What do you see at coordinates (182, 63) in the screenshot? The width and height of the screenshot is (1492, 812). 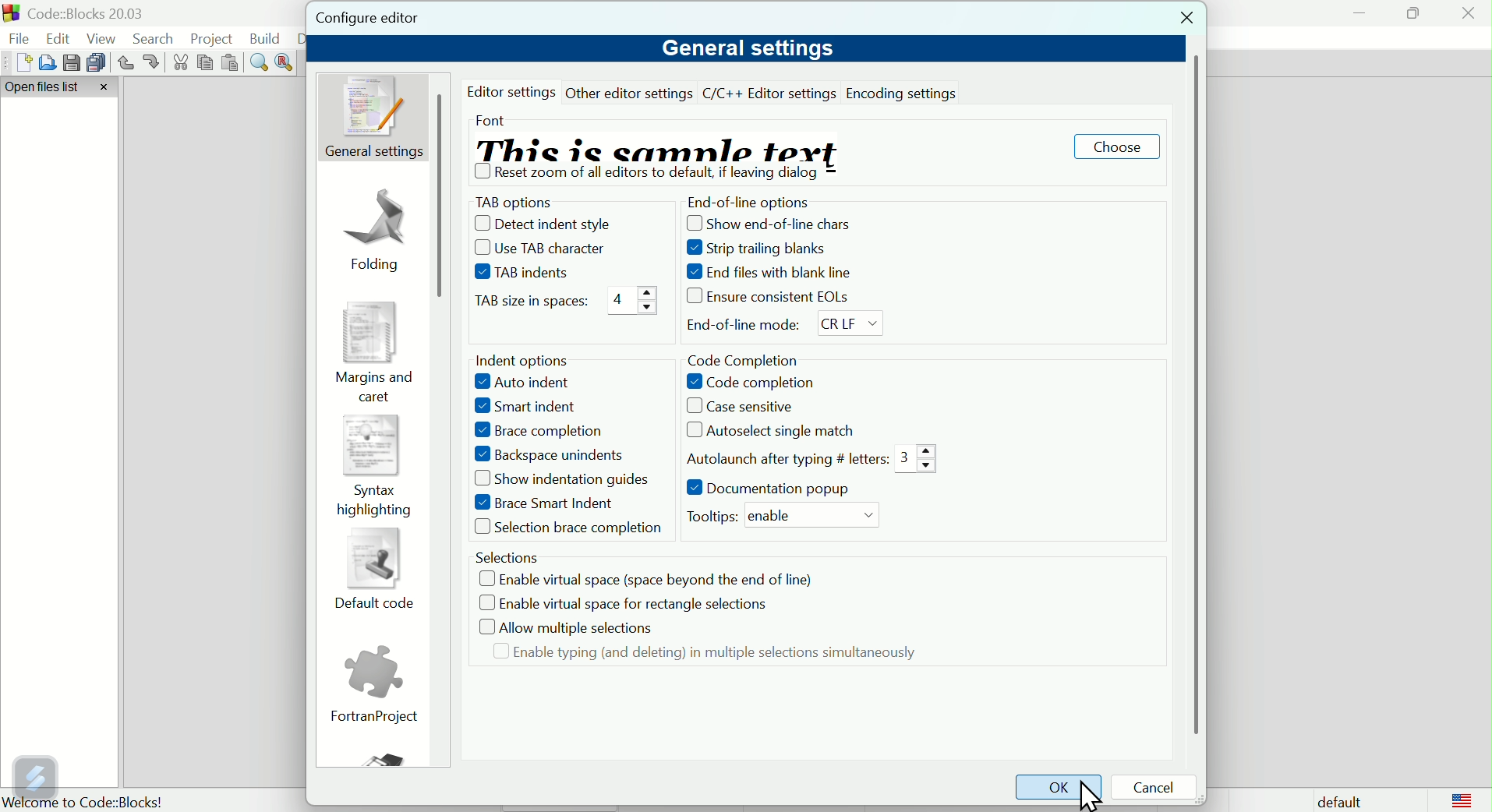 I see `cut` at bounding box center [182, 63].